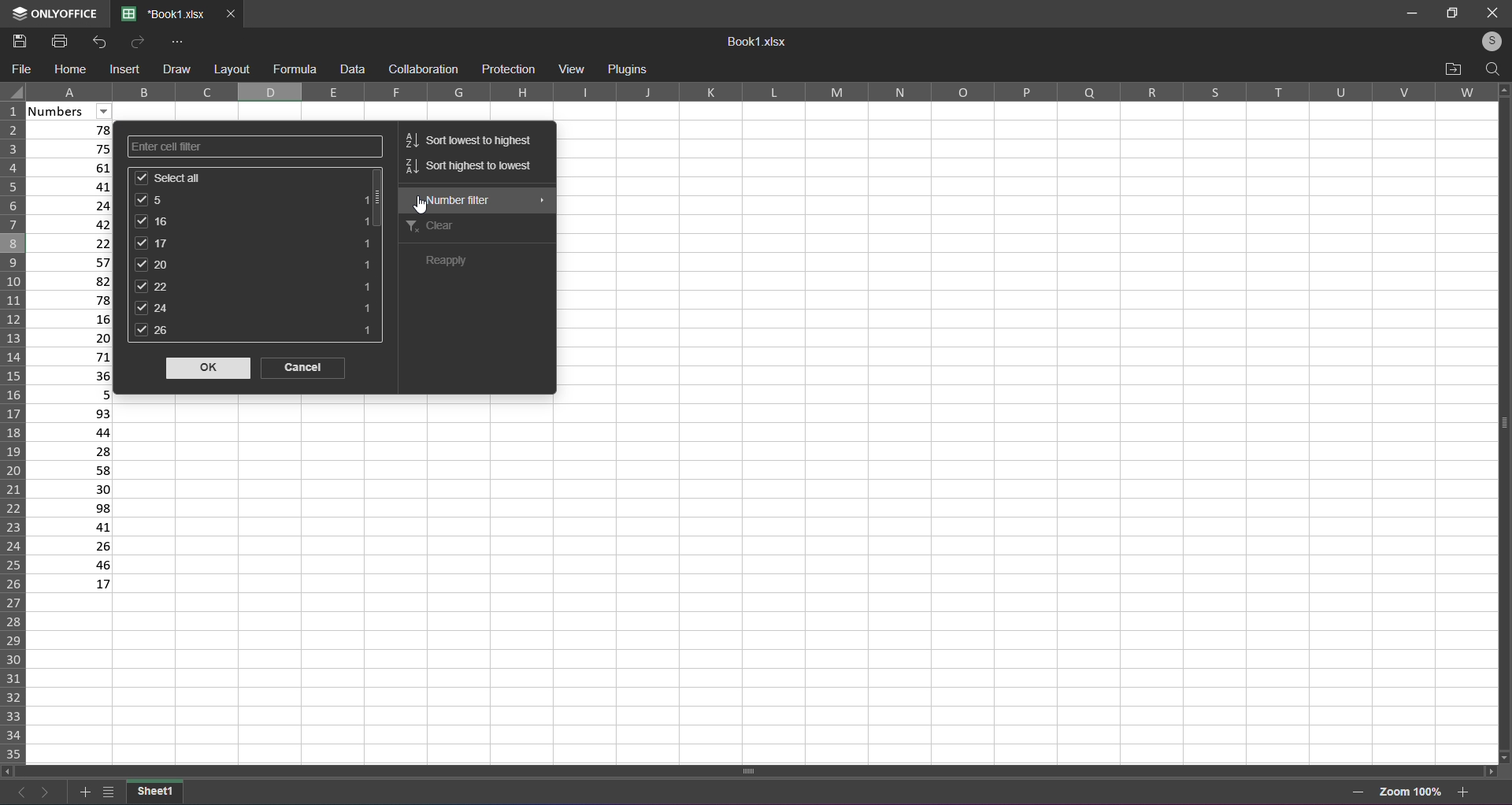  I want to click on sort lowest to highest, so click(471, 137).